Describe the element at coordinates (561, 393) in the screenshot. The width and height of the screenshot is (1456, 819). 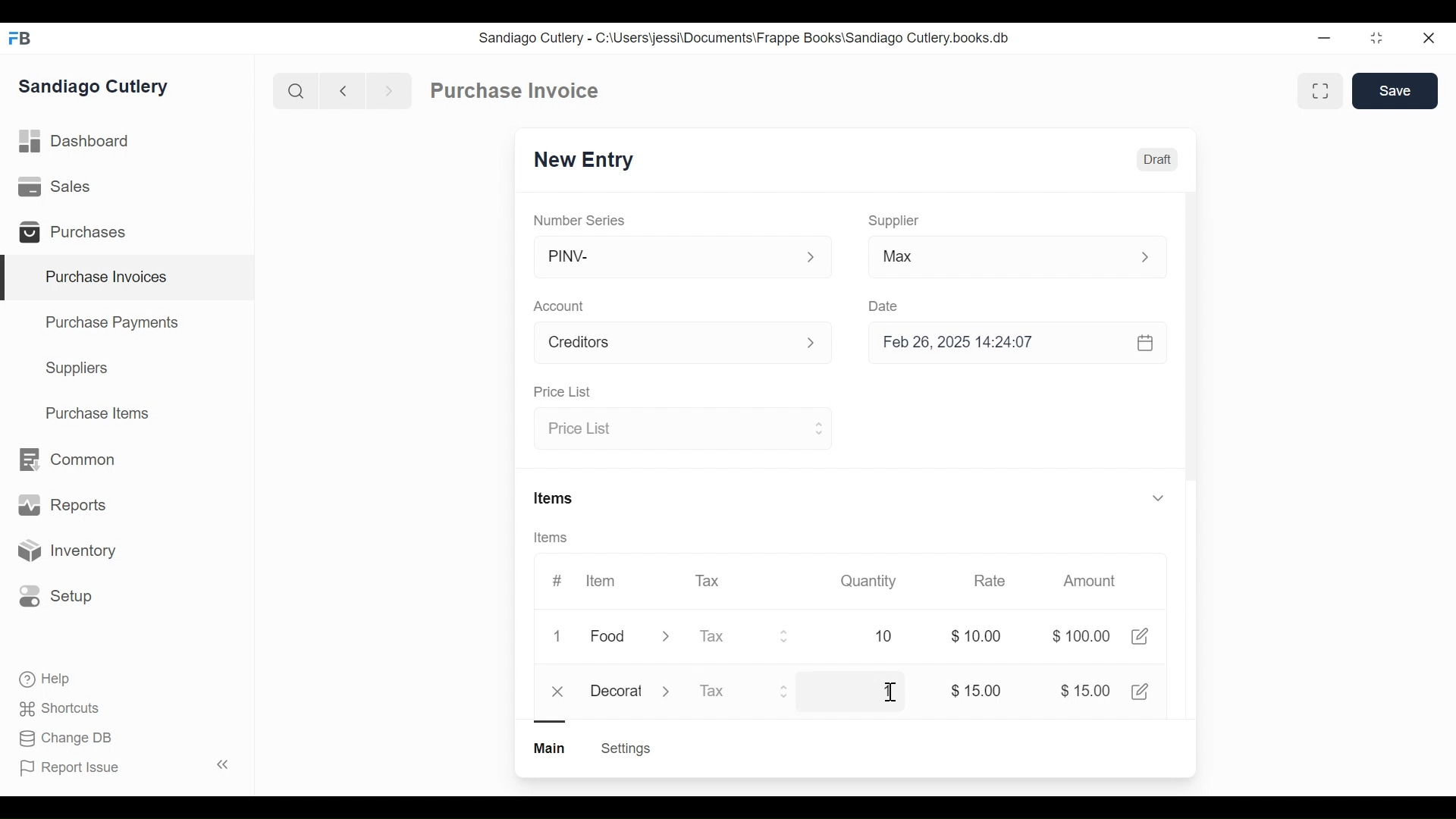
I see `Price List` at that location.